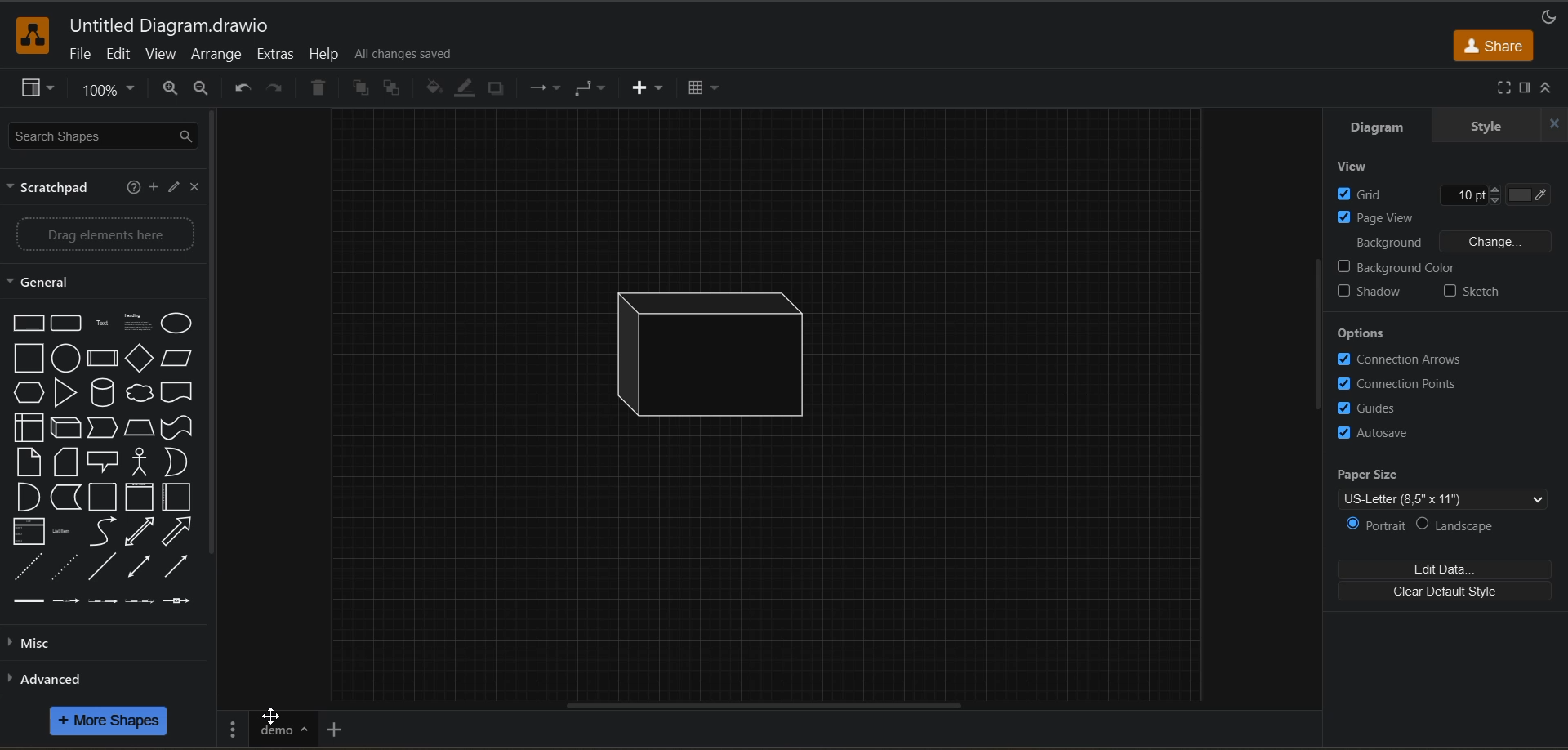 This screenshot has width=1568, height=750. What do you see at coordinates (218, 54) in the screenshot?
I see `arrange` at bounding box center [218, 54].